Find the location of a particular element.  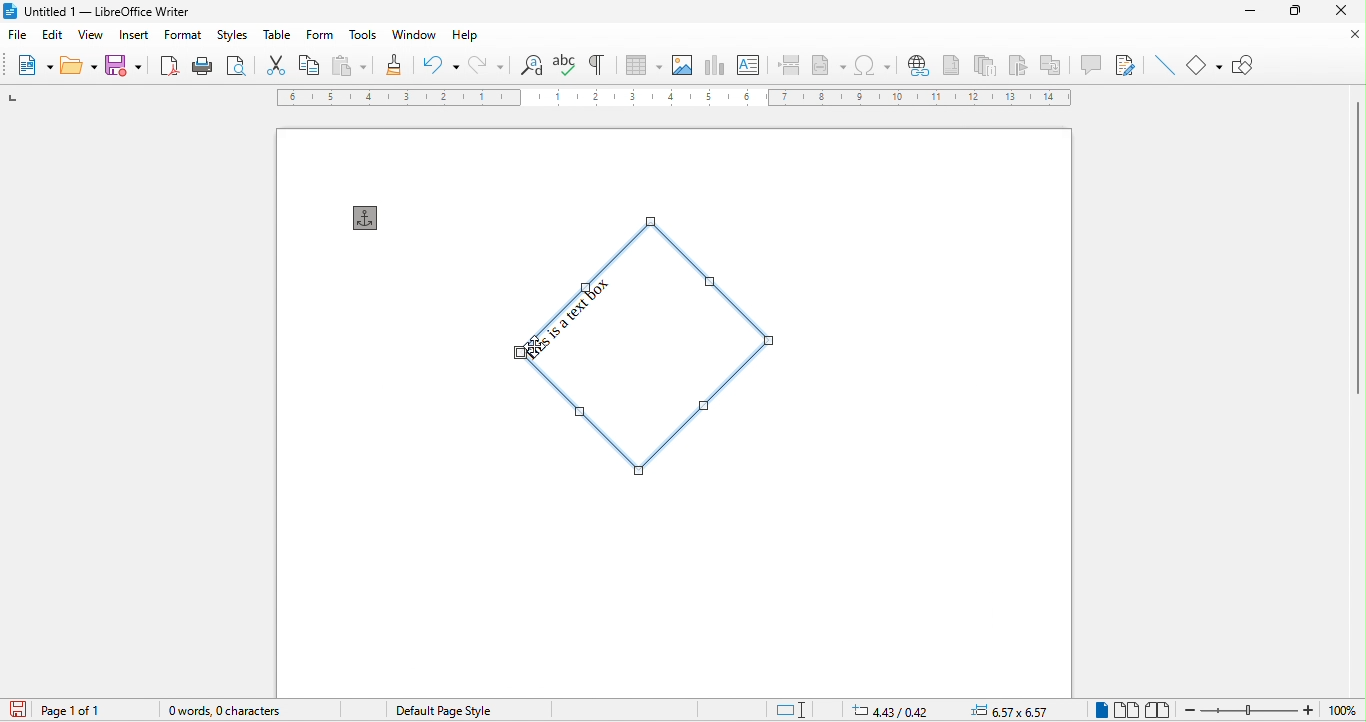

format is located at coordinates (183, 36).